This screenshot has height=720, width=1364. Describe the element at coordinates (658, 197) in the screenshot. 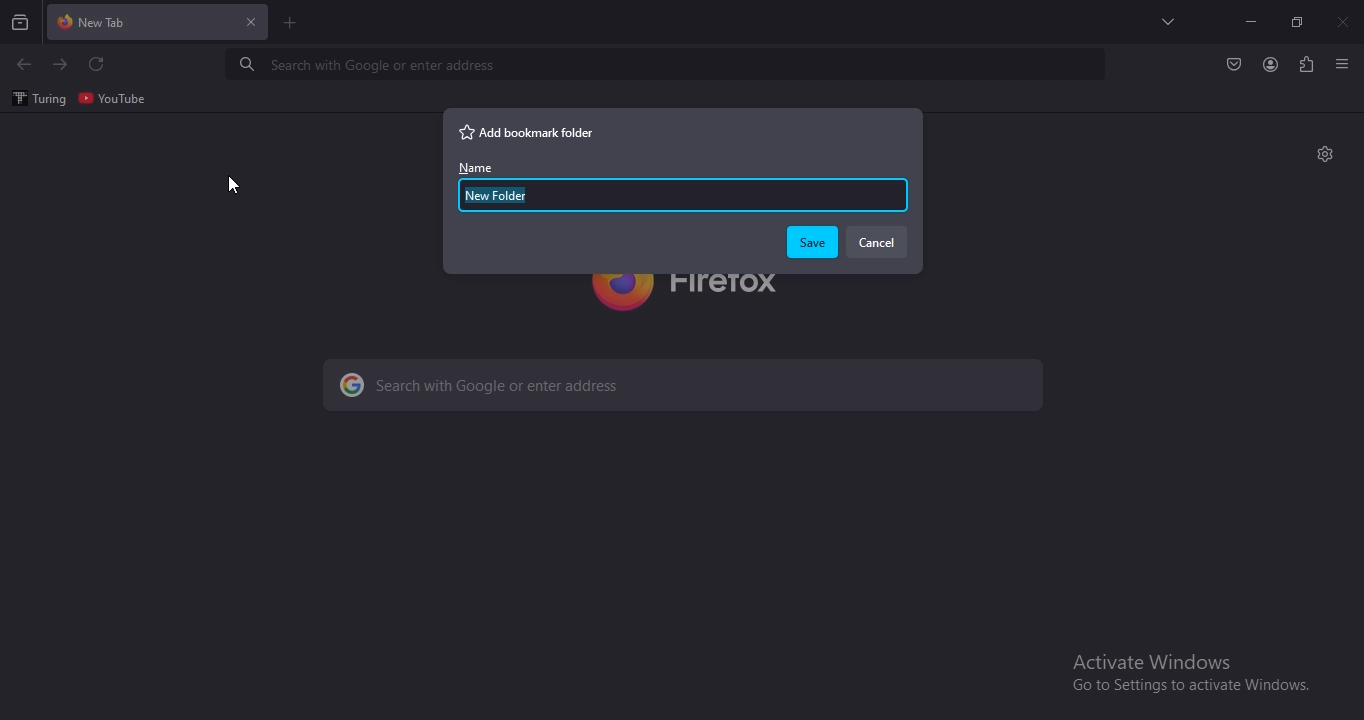

I see `name` at that location.